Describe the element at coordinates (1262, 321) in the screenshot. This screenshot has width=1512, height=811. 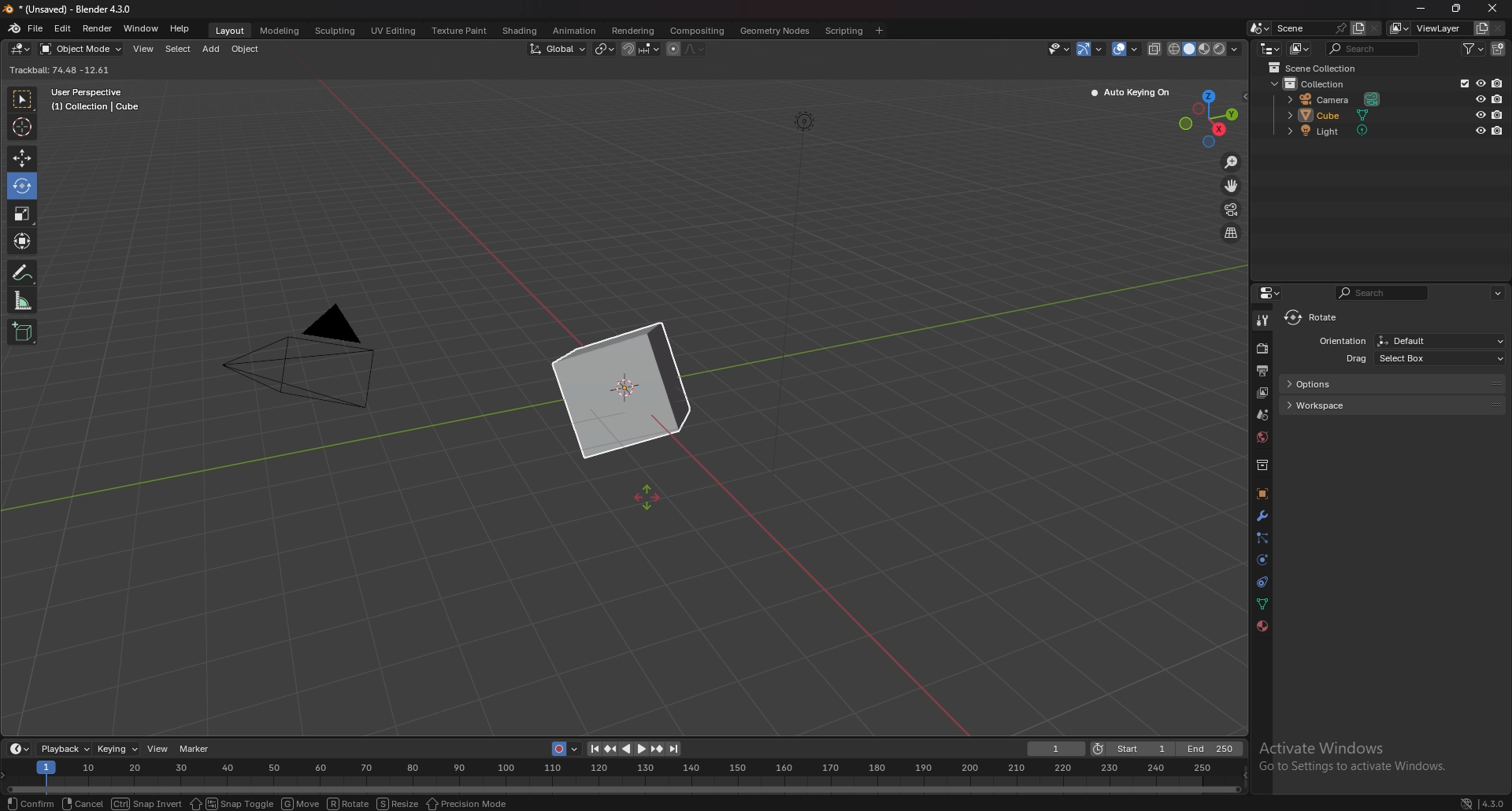
I see `tool` at that location.